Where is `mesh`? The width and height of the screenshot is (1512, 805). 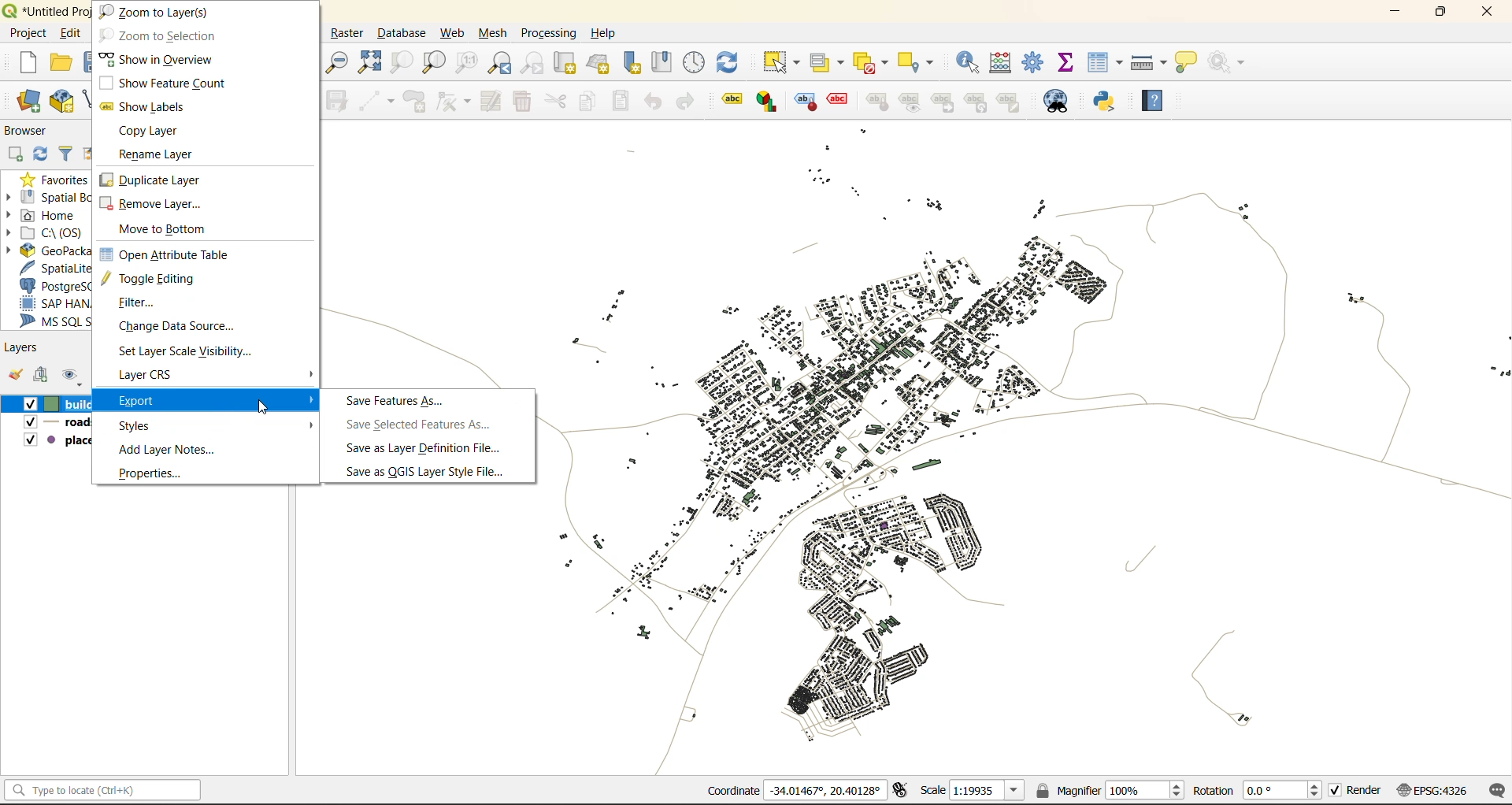
mesh is located at coordinates (493, 33).